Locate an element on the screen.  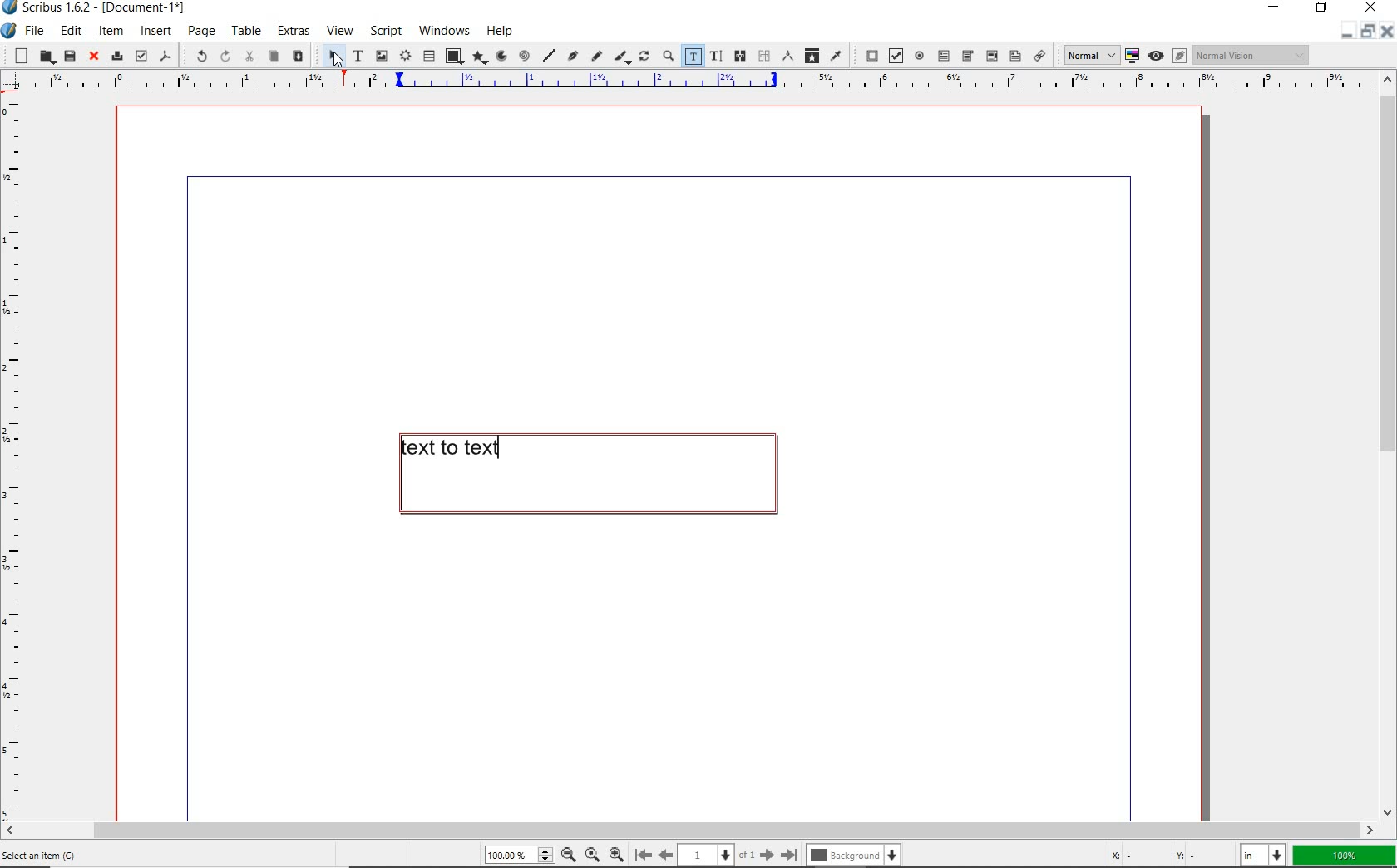
1 of 1 is located at coordinates (716, 855).